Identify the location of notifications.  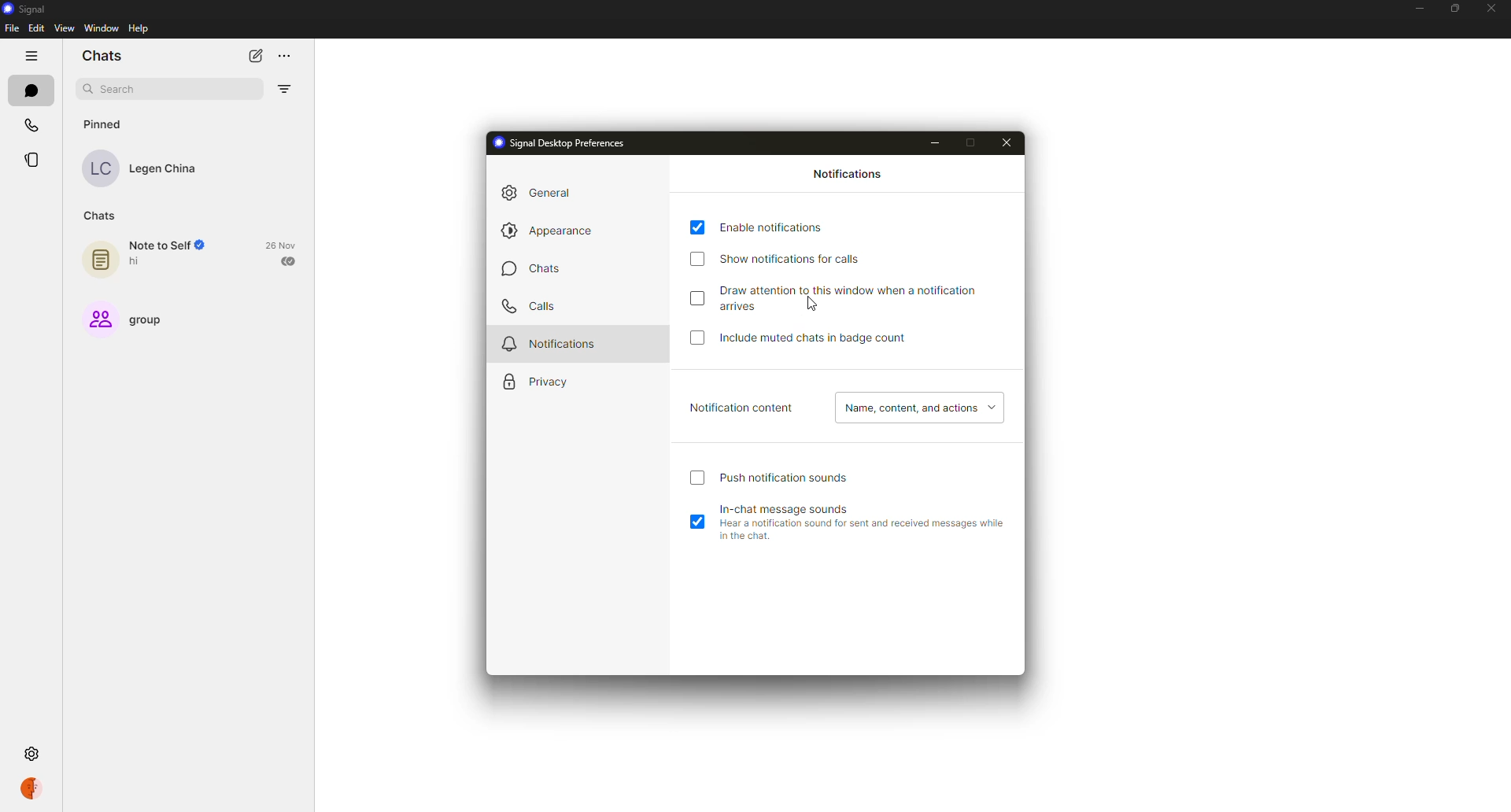
(549, 345).